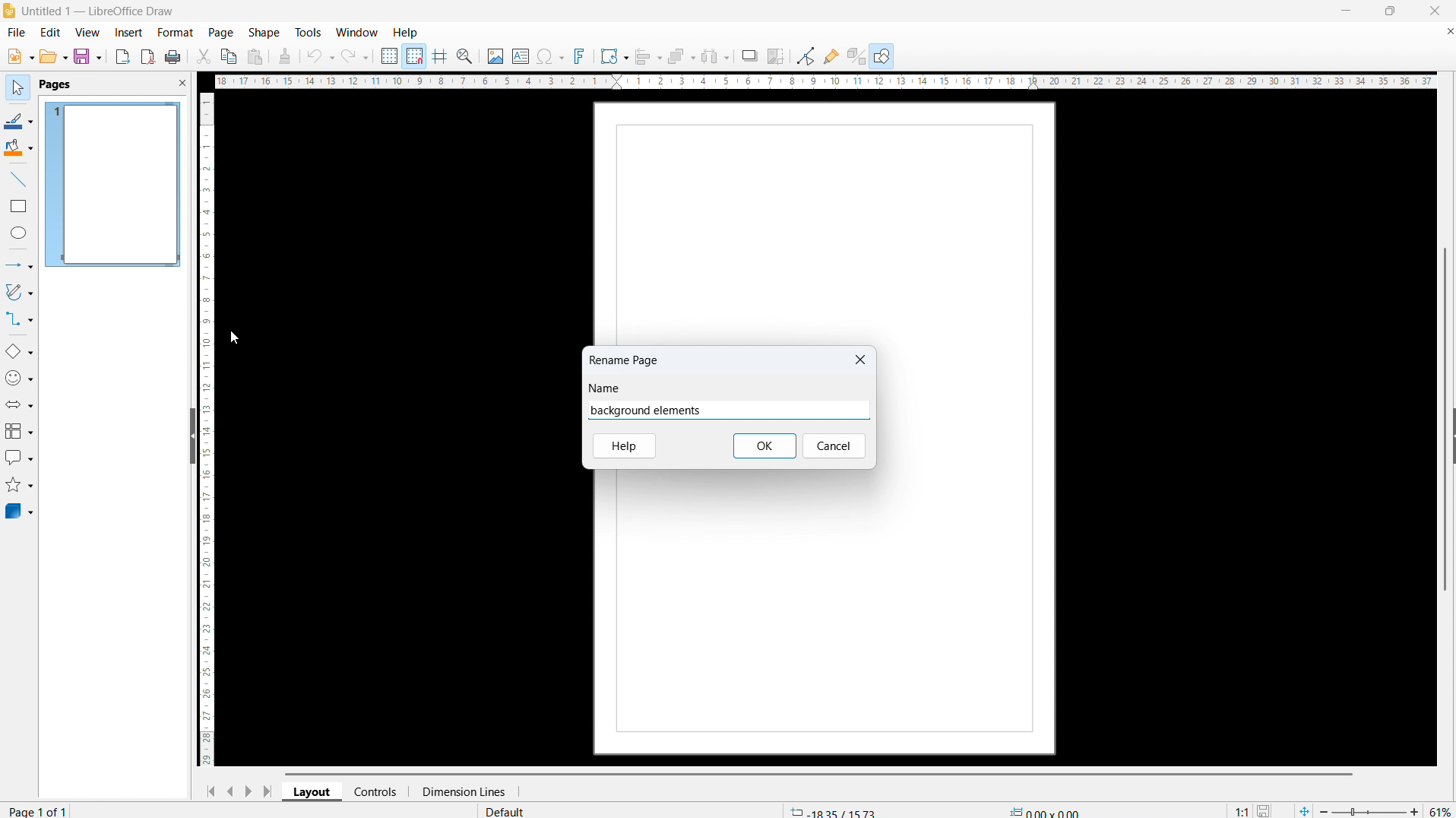 This screenshot has height=818, width=1456. Describe the element at coordinates (648, 56) in the screenshot. I see `align` at that location.